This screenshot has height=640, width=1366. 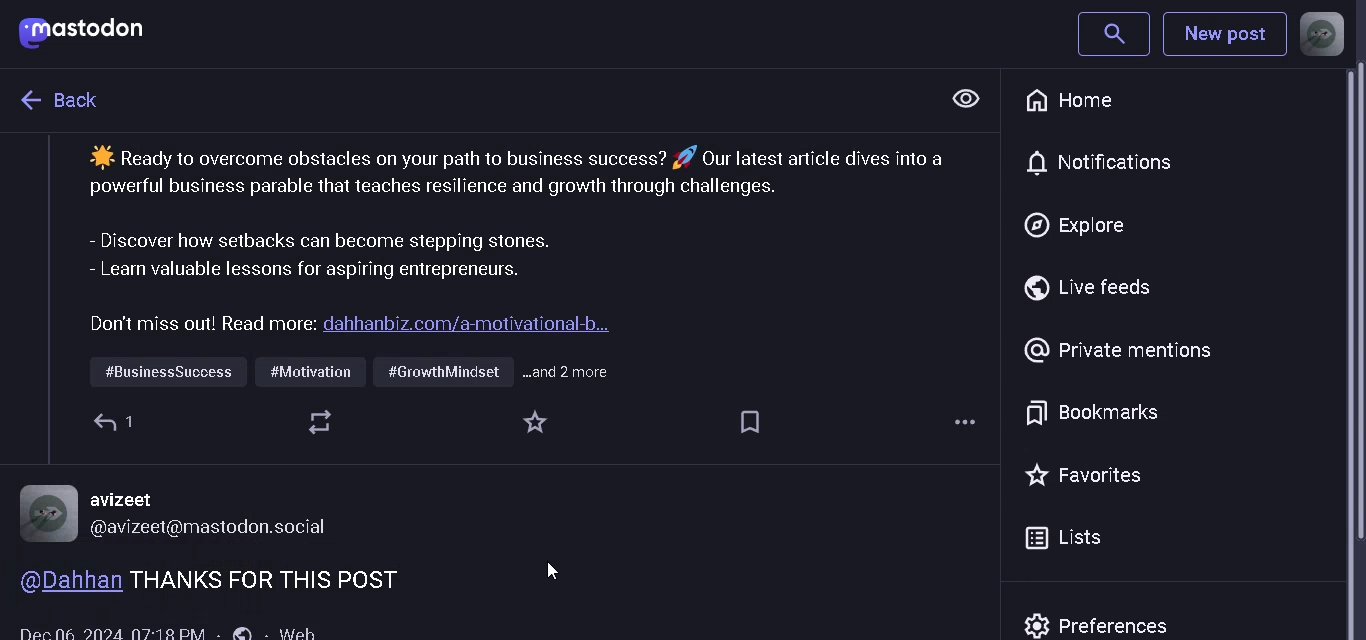 I want to click on home, so click(x=1076, y=101).